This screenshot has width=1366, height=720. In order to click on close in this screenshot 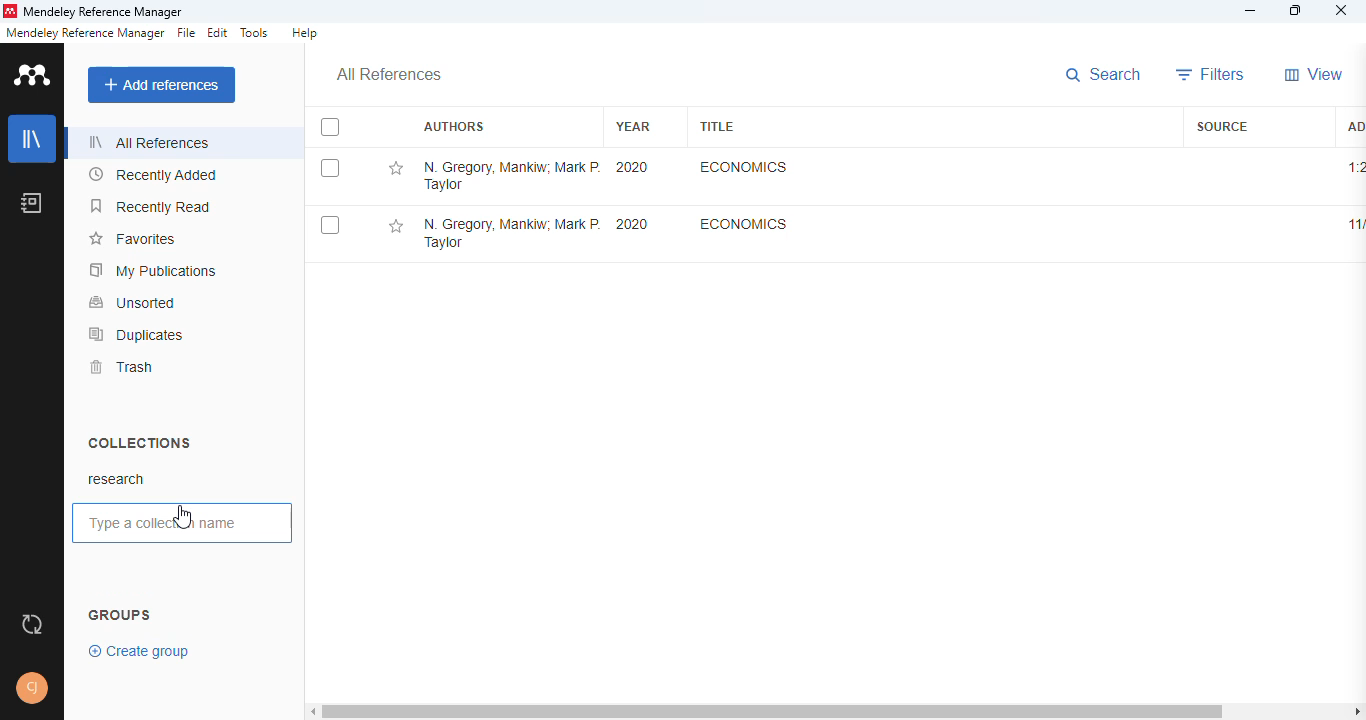, I will do `click(1343, 13)`.